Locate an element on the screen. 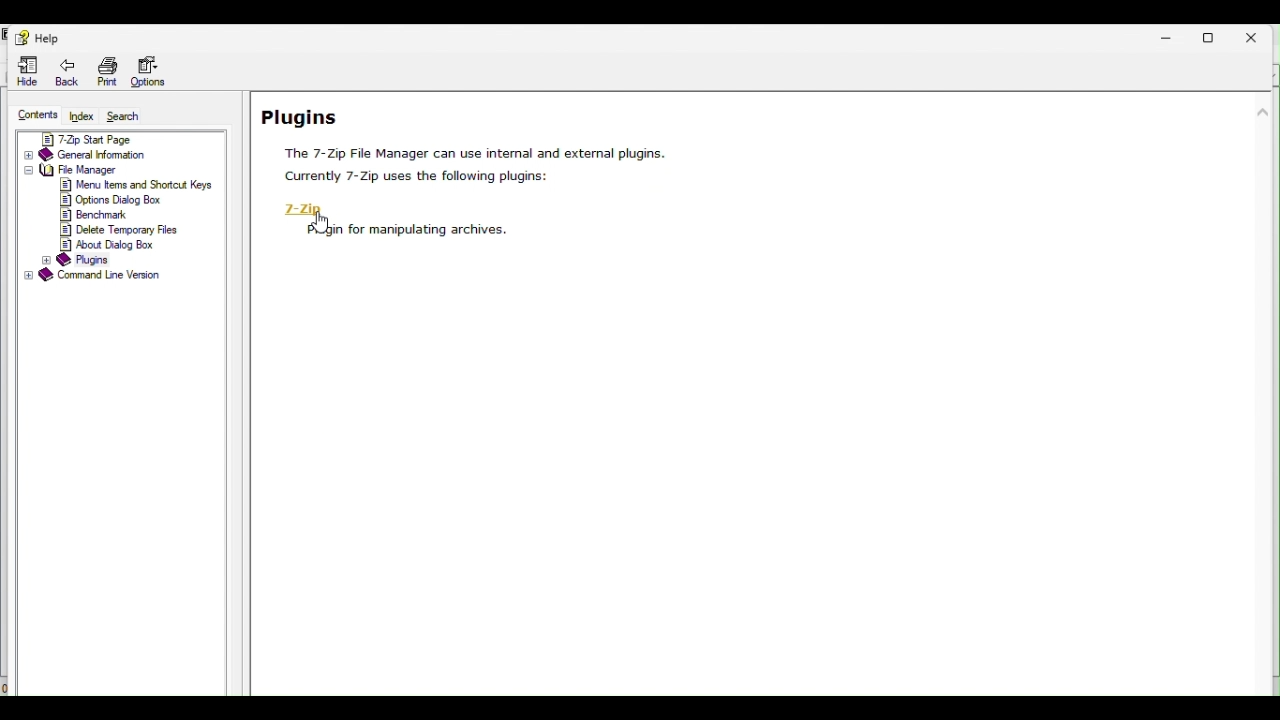 The height and width of the screenshot is (720, 1280). benchmark is located at coordinates (101, 214).